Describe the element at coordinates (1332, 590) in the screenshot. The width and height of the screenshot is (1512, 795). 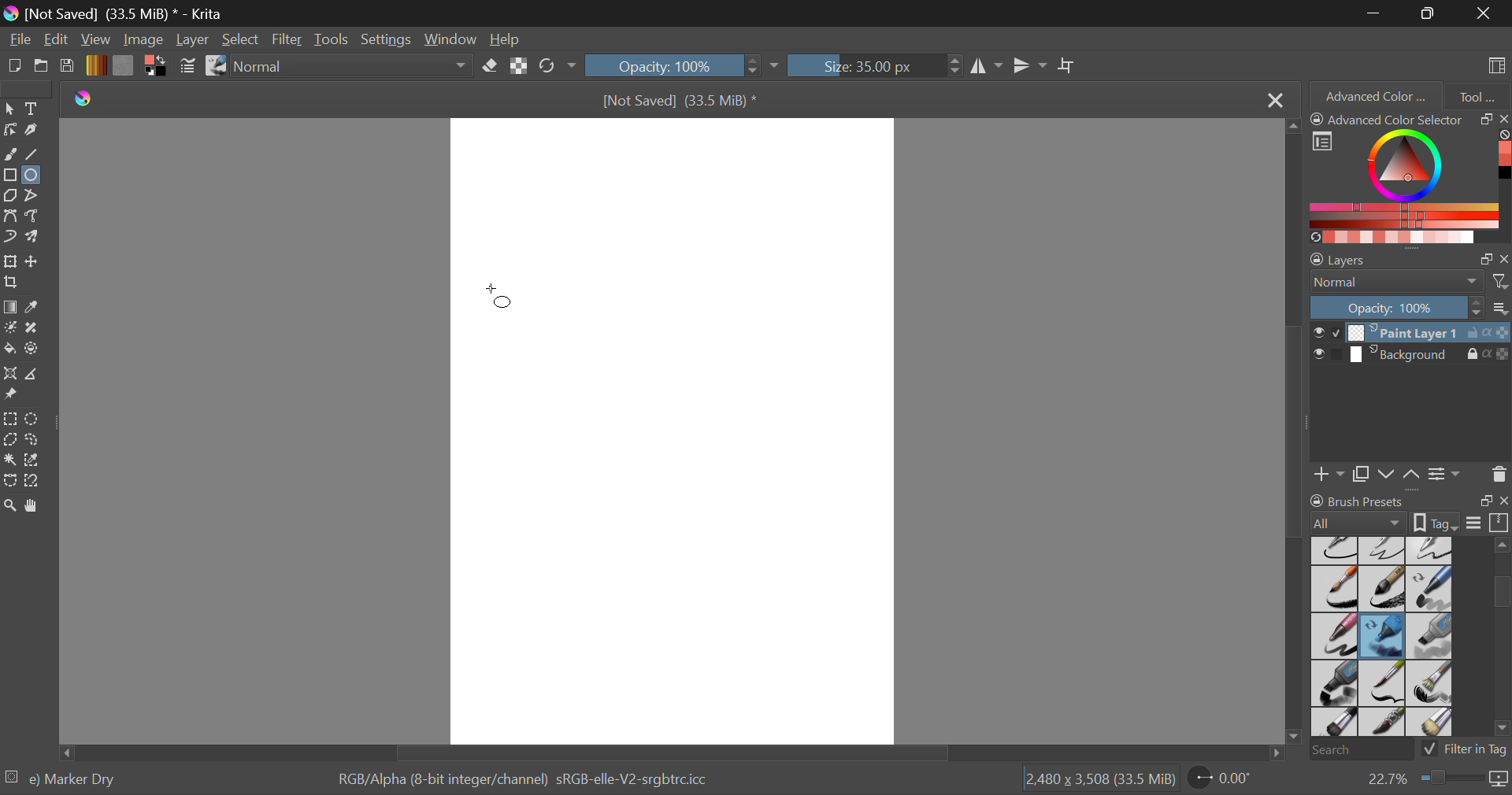
I see `Ink-7 Brush Rough` at that location.